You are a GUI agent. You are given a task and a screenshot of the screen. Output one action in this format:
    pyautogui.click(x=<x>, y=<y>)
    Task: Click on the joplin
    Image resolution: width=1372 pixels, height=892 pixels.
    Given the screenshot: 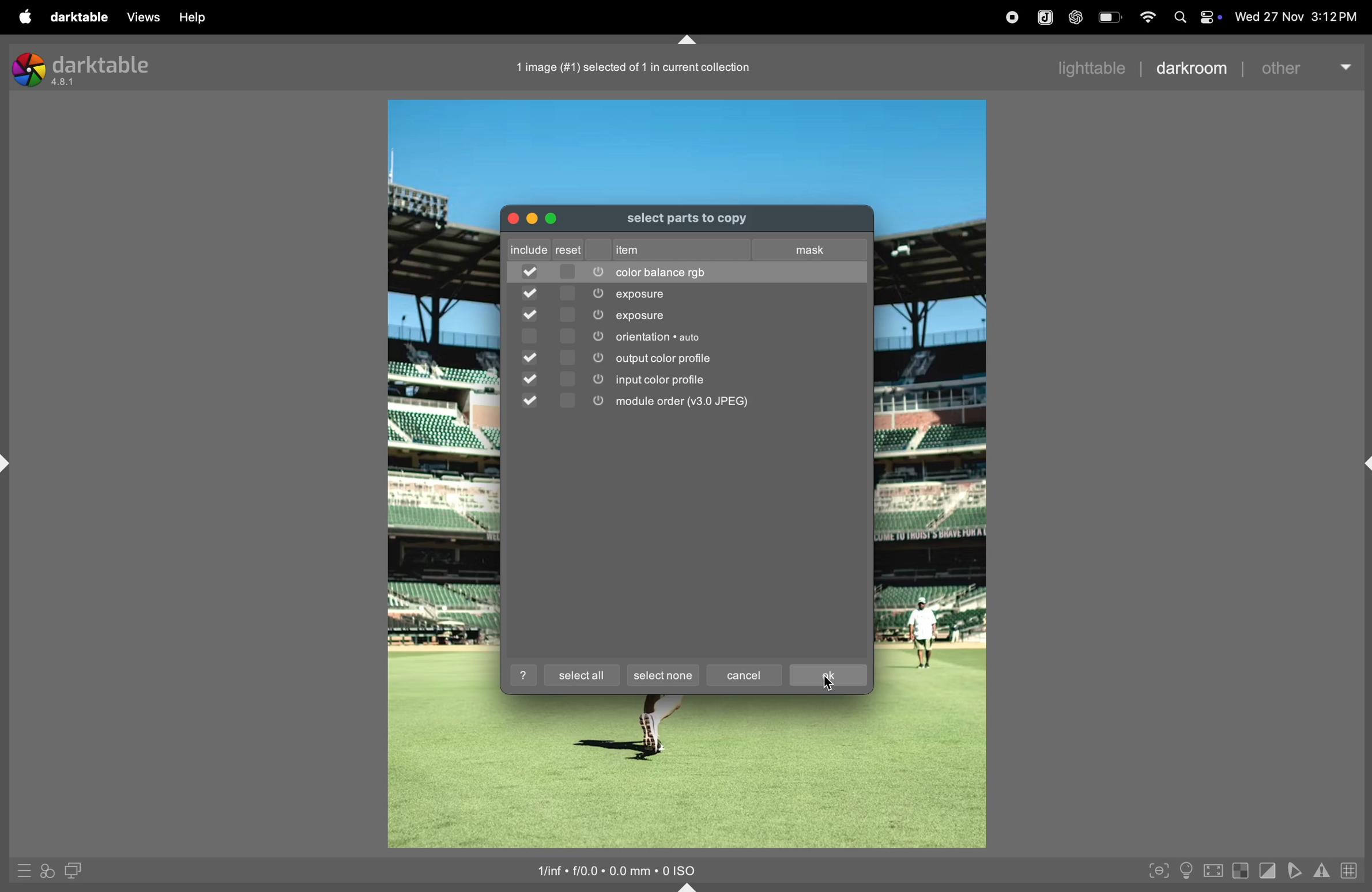 What is the action you would take?
    pyautogui.click(x=1046, y=17)
    